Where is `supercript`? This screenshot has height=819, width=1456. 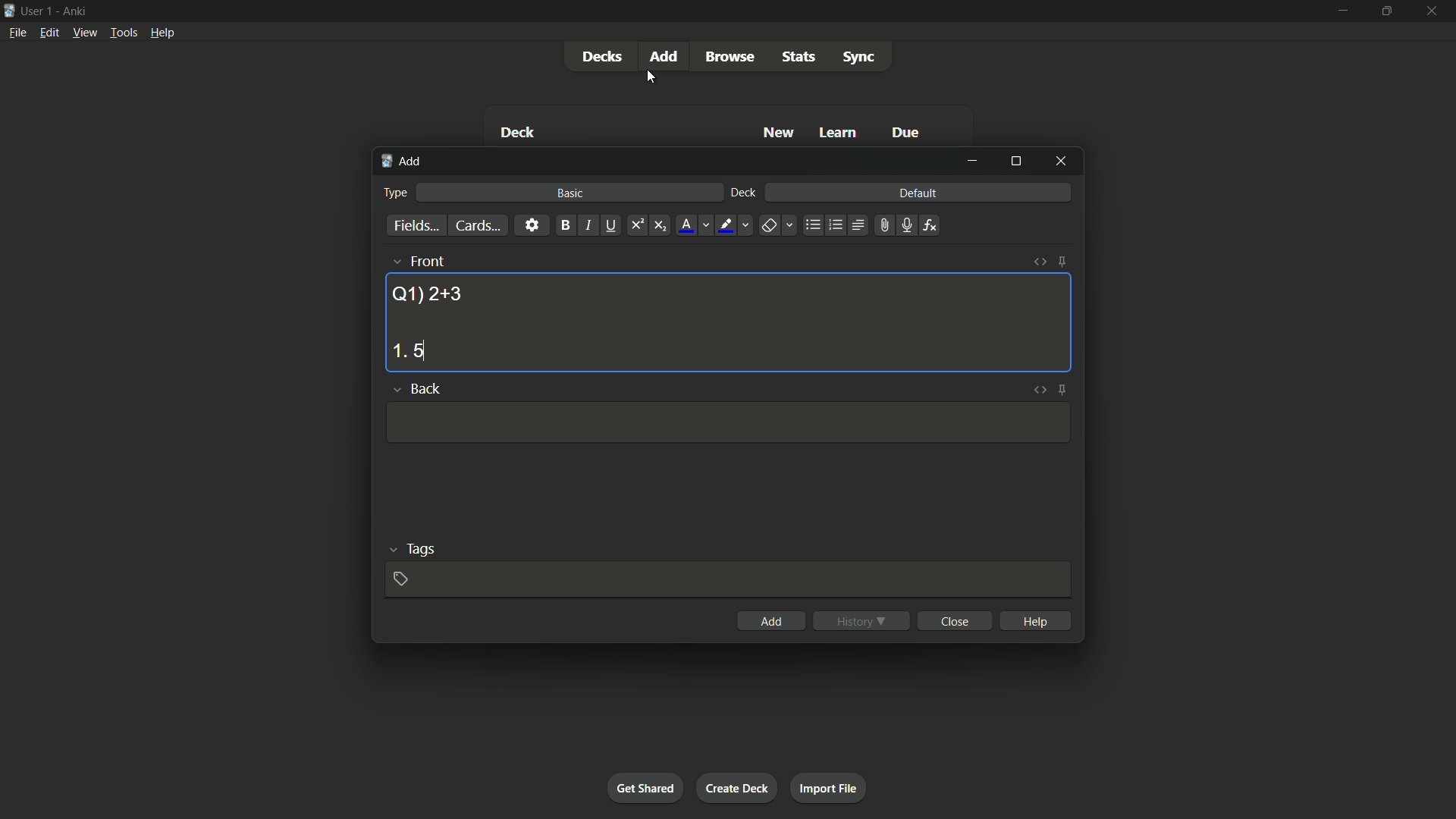 supercript is located at coordinates (635, 226).